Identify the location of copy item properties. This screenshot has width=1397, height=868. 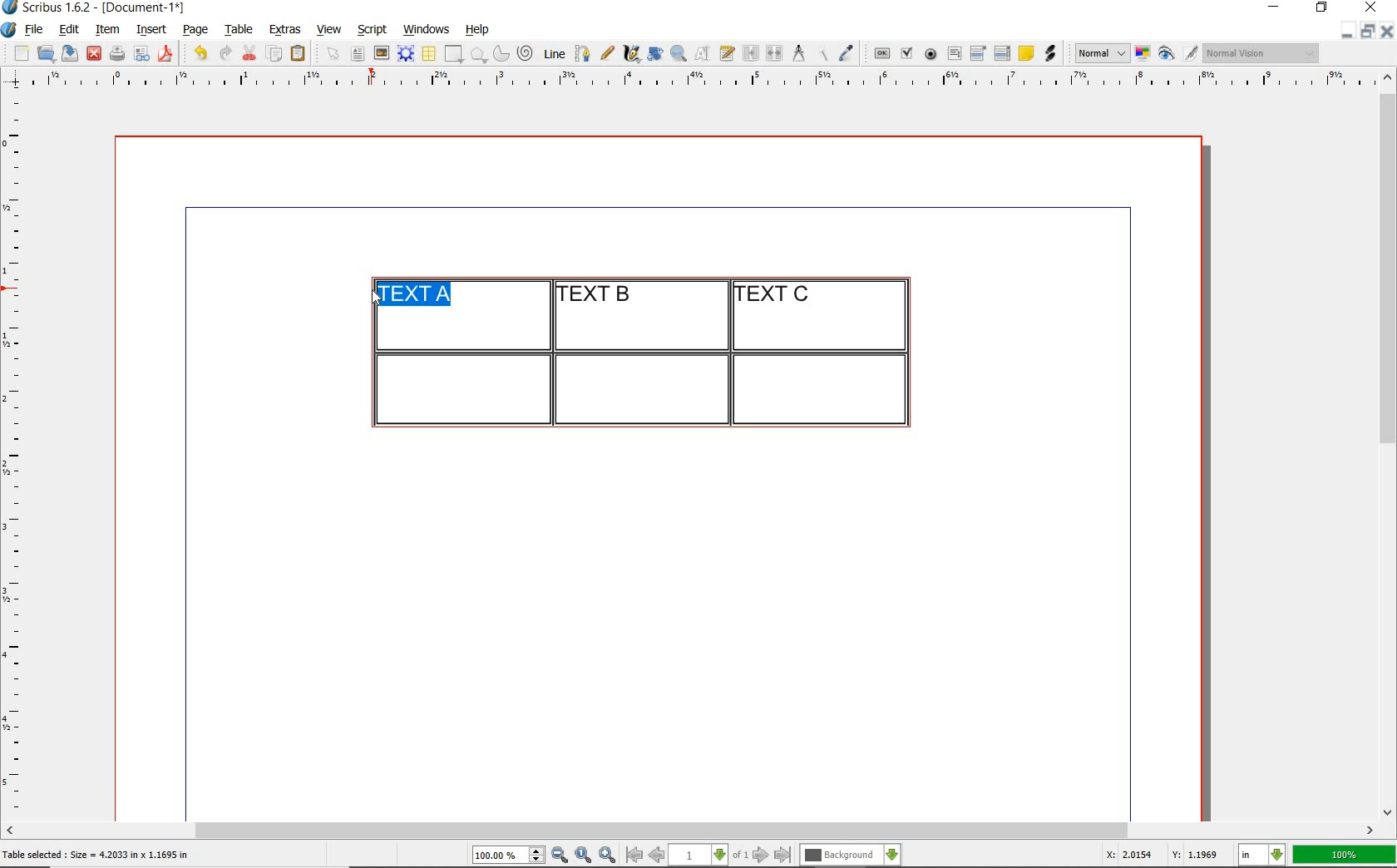
(822, 53).